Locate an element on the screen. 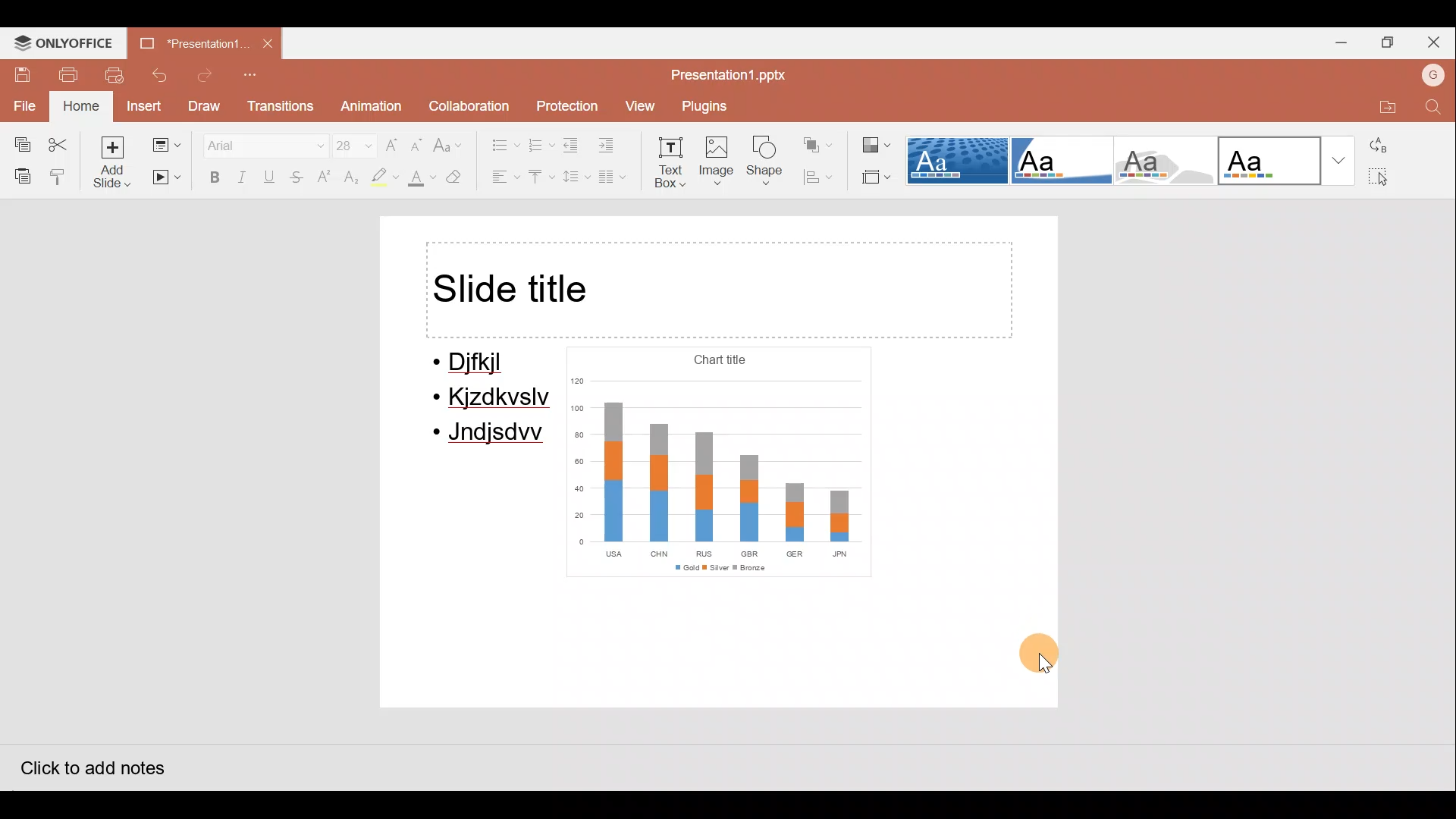  Minimize is located at coordinates (1338, 41).